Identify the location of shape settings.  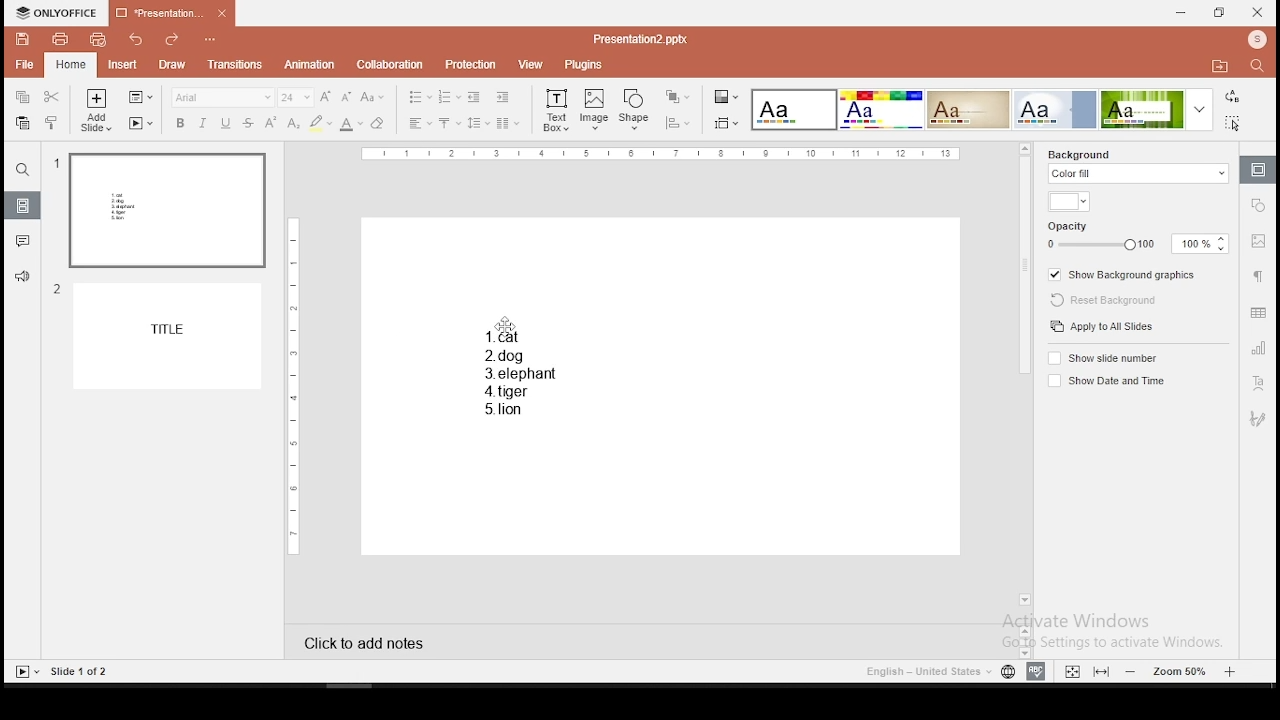
(1256, 204).